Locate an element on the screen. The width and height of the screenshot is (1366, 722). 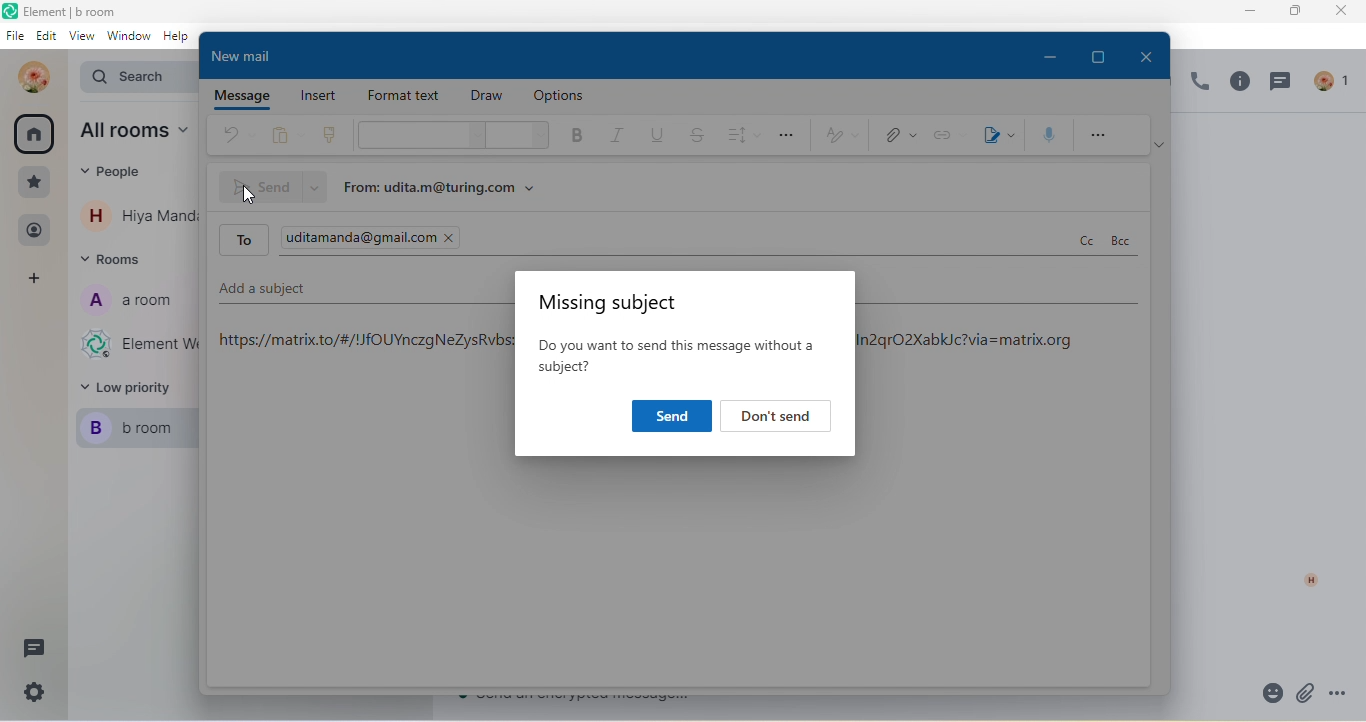
attachment is located at coordinates (1306, 694).